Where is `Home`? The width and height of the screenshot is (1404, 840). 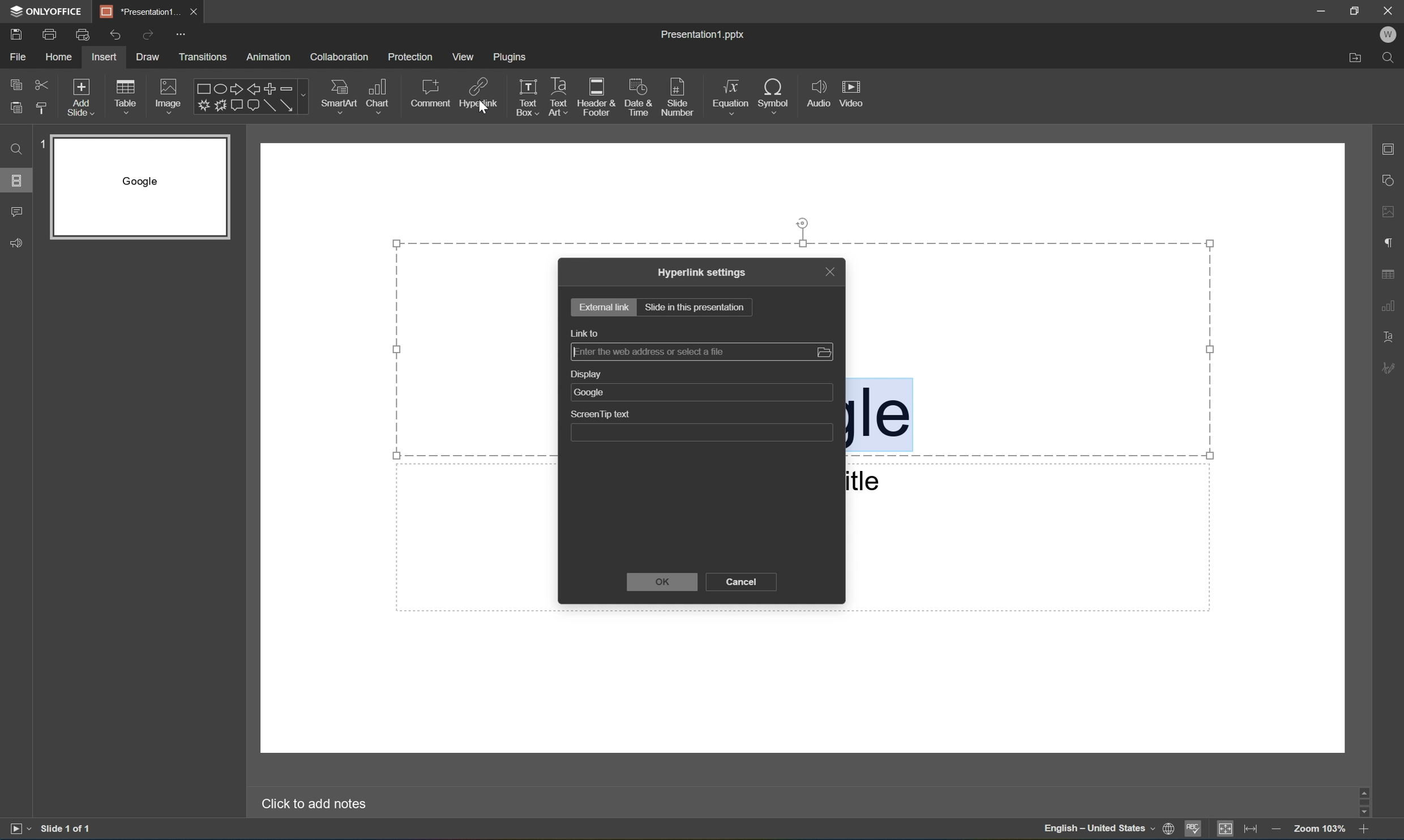
Home is located at coordinates (61, 57).